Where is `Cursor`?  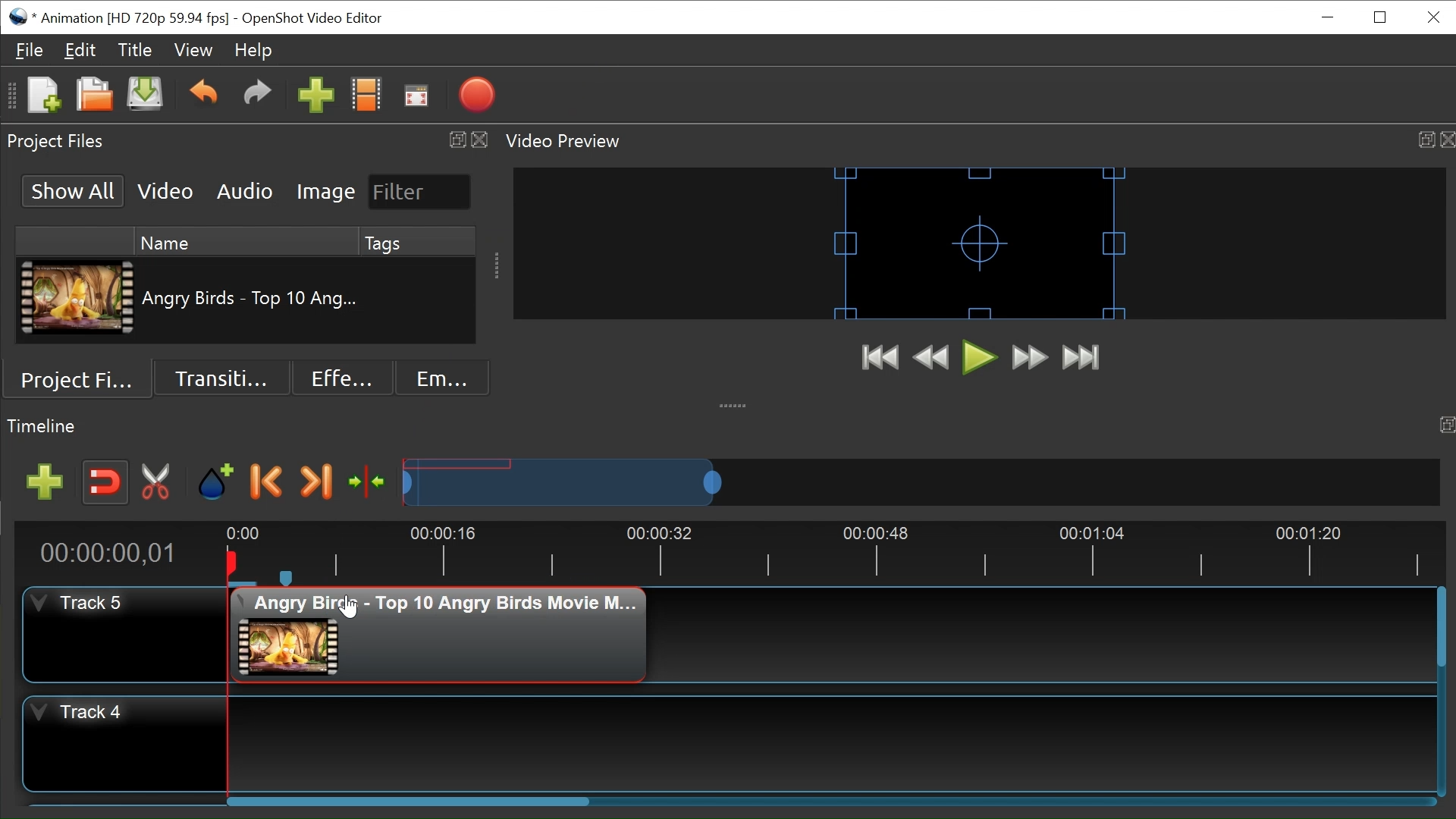
Cursor is located at coordinates (347, 604).